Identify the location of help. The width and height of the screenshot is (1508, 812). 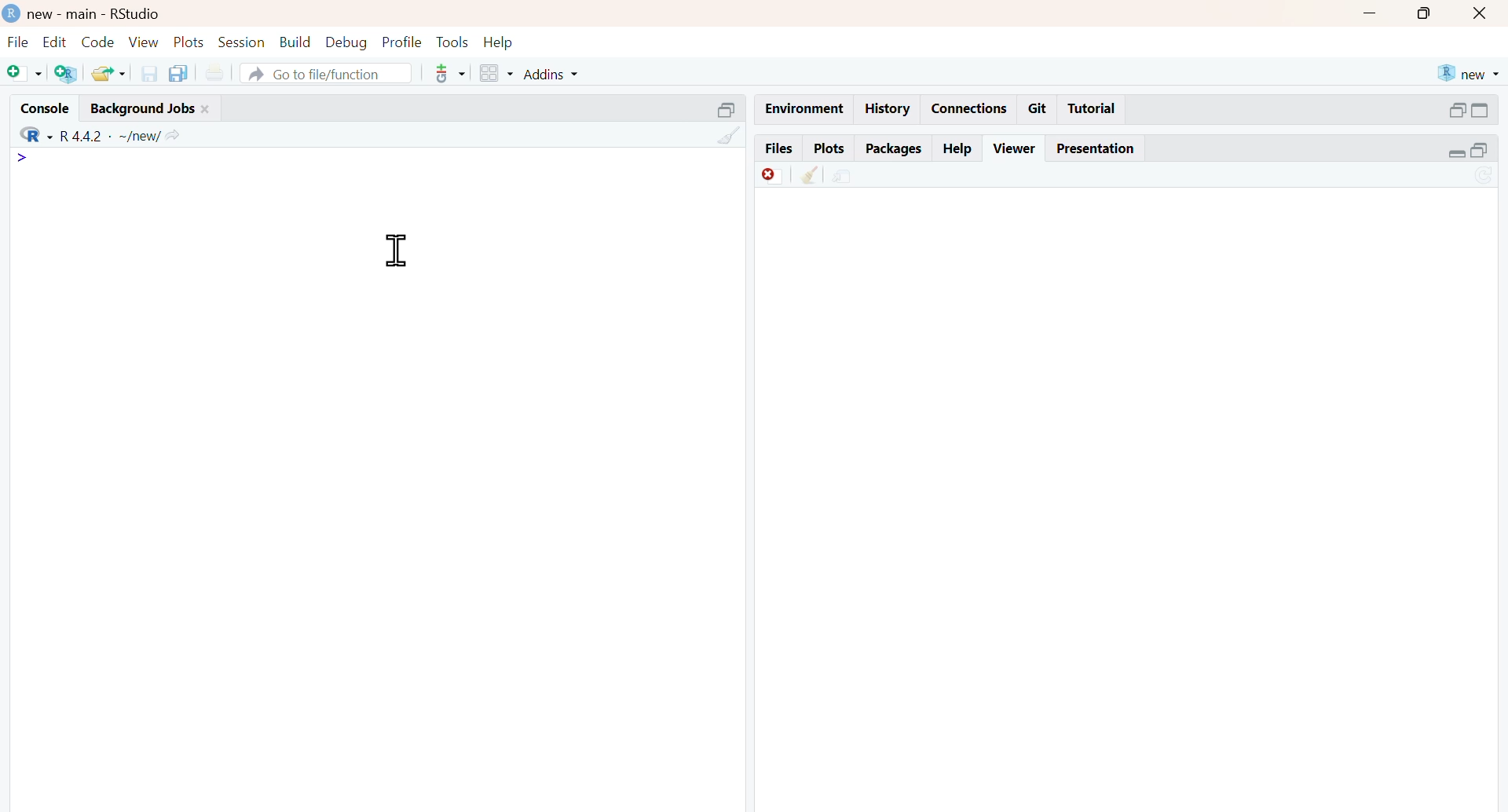
(959, 150).